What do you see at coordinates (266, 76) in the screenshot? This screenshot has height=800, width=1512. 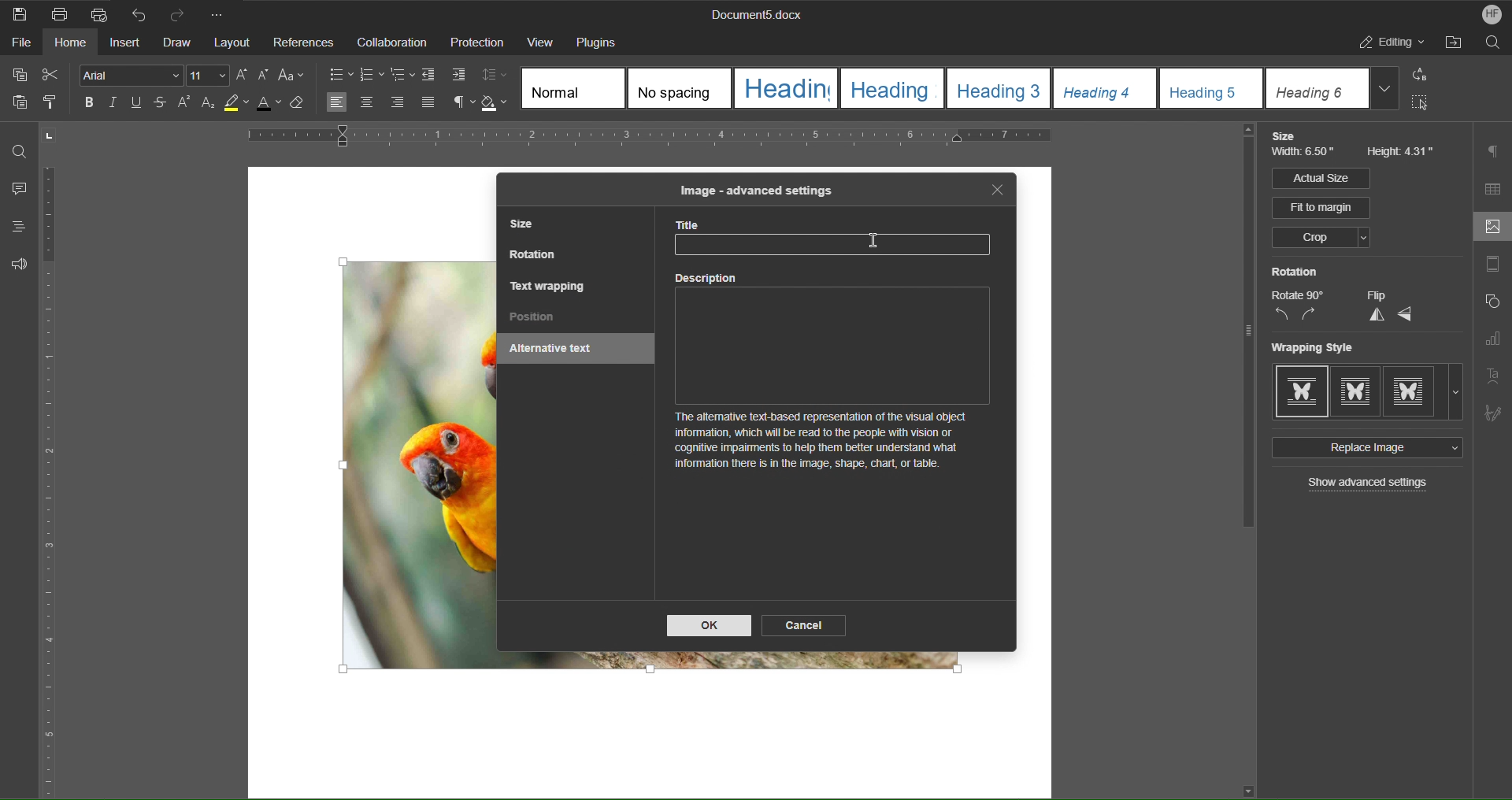 I see `Decrease Size` at bounding box center [266, 76].